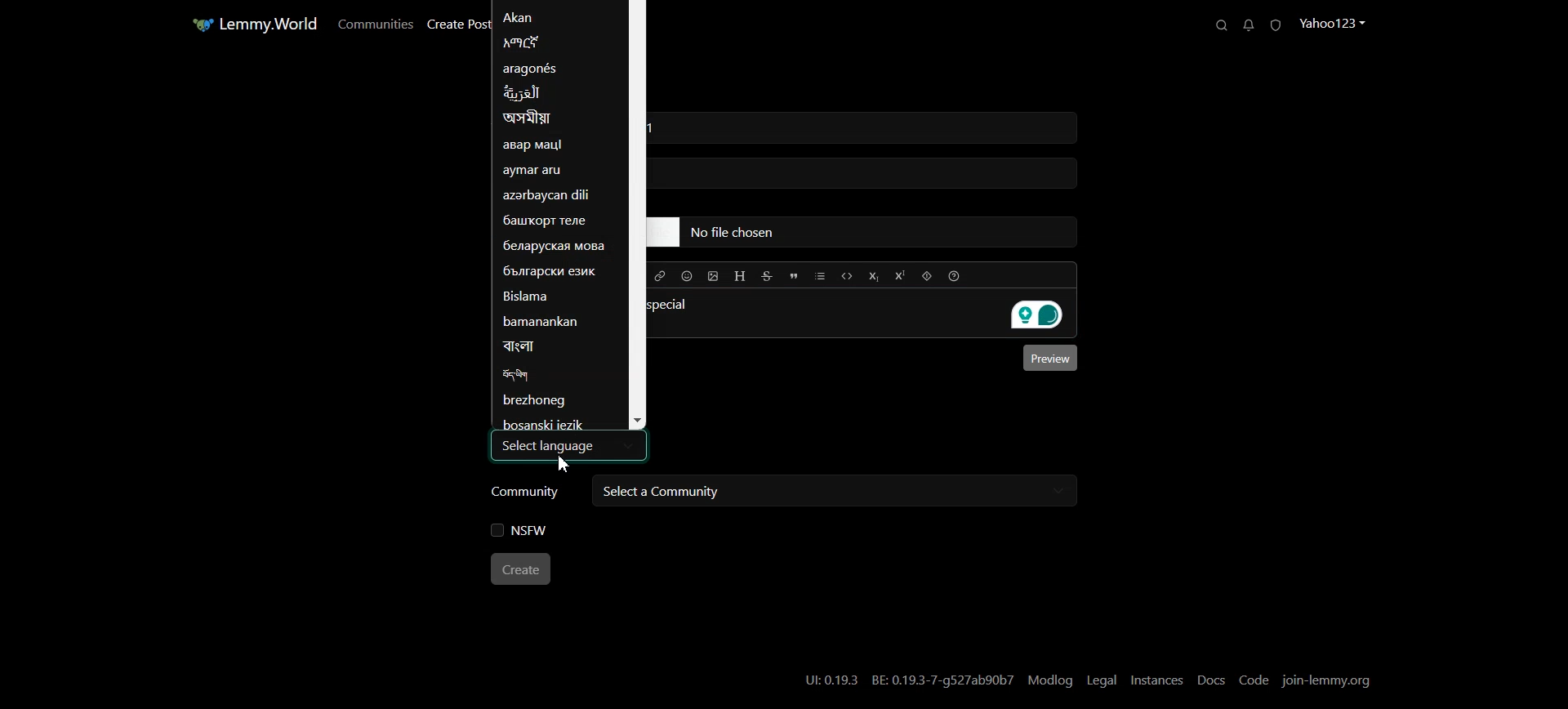 This screenshot has height=709, width=1568. What do you see at coordinates (566, 448) in the screenshot?
I see `Select language` at bounding box center [566, 448].